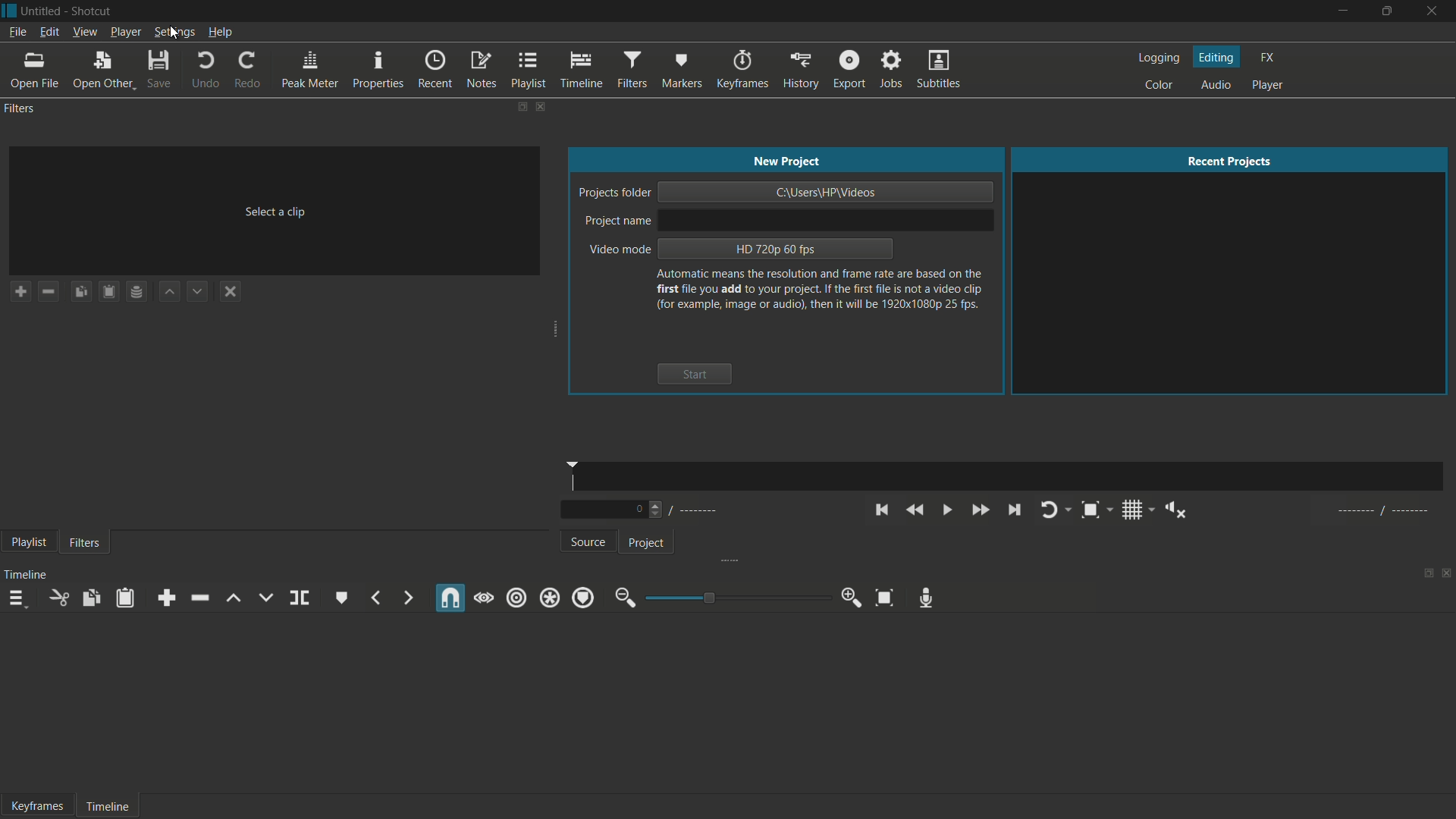 This screenshot has width=1456, height=819. What do you see at coordinates (232, 291) in the screenshot?
I see `deselect a filter` at bounding box center [232, 291].